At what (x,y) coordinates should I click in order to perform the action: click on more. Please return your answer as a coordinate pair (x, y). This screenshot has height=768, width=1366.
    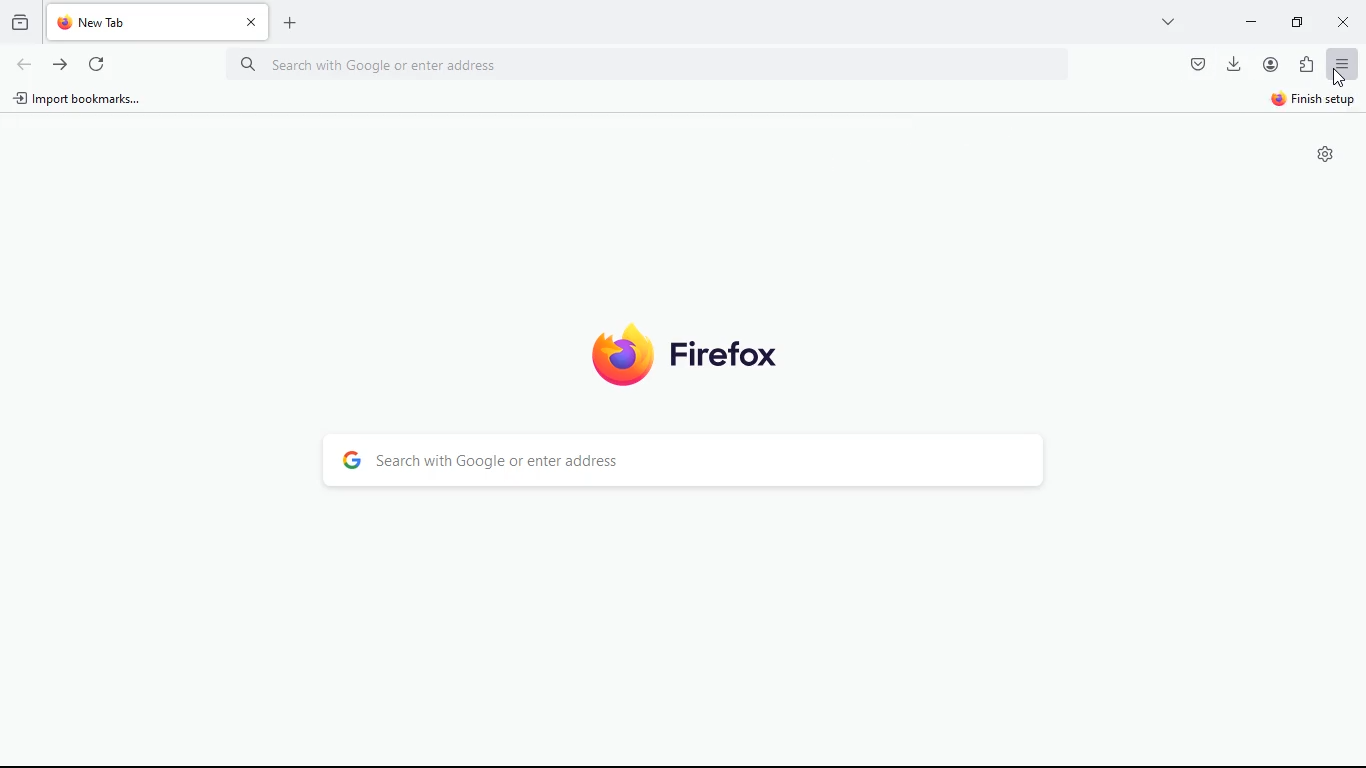
    Looking at the image, I should click on (1171, 21).